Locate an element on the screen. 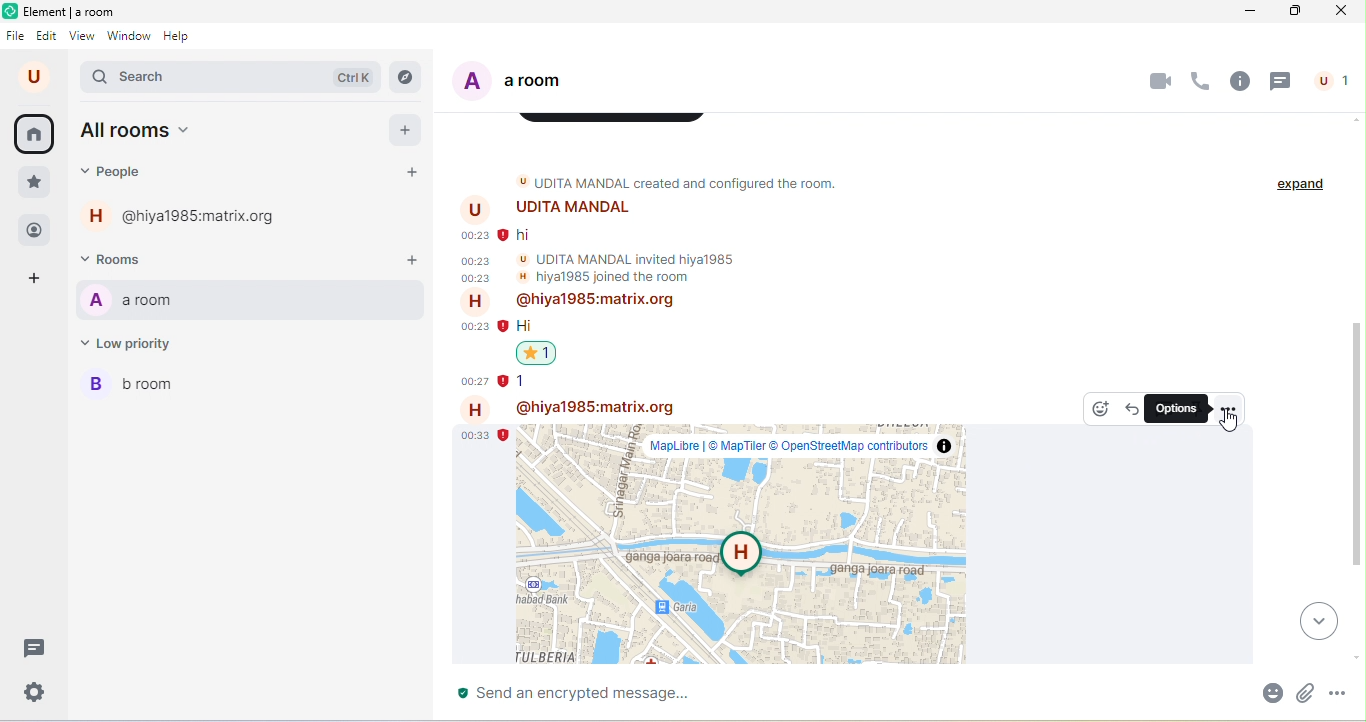 The height and width of the screenshot is (722, 1366). start a chat is located at coordinates (413, 173).